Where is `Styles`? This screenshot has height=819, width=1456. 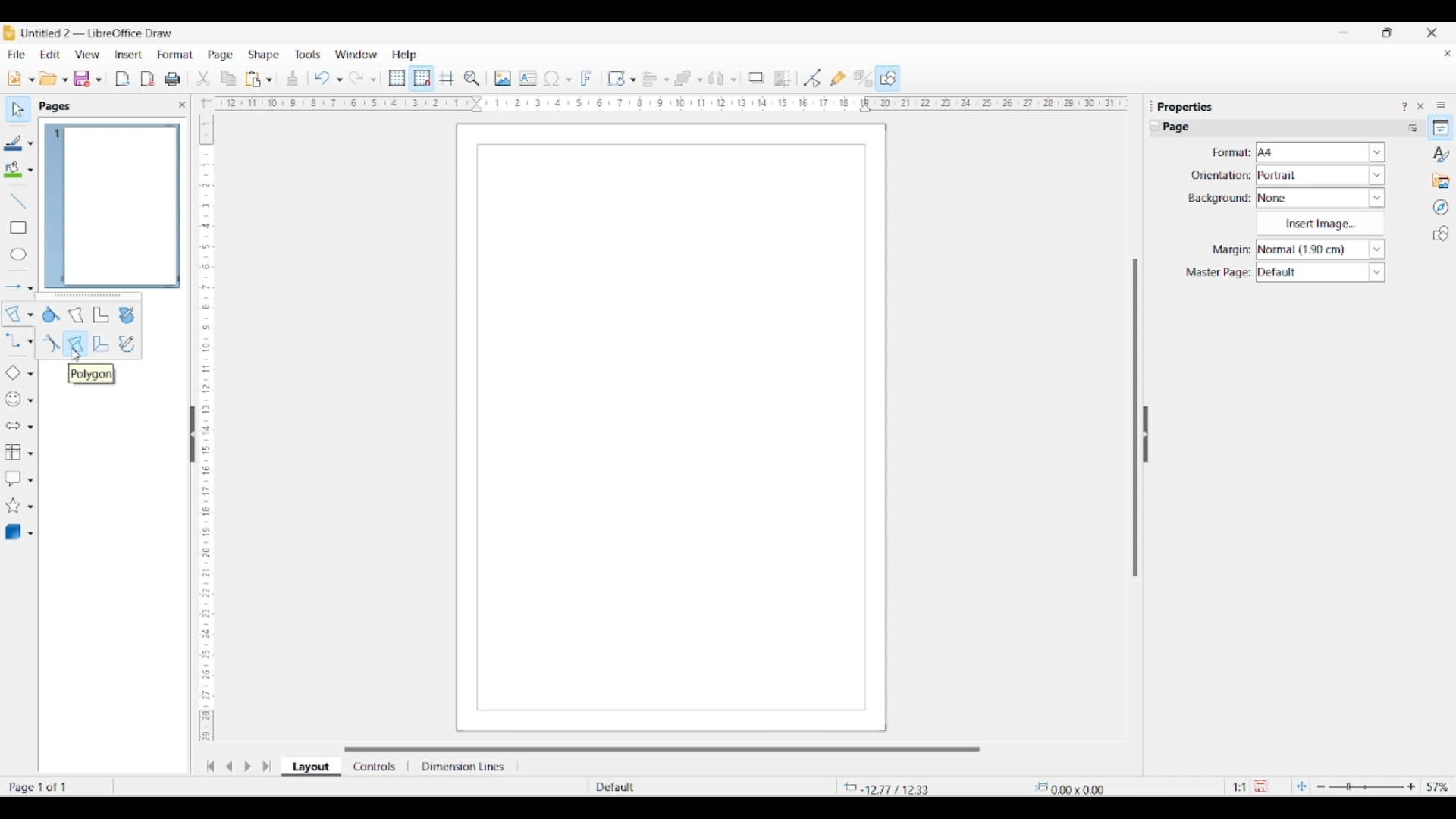 Styles is located at coordinates (1442, 154).